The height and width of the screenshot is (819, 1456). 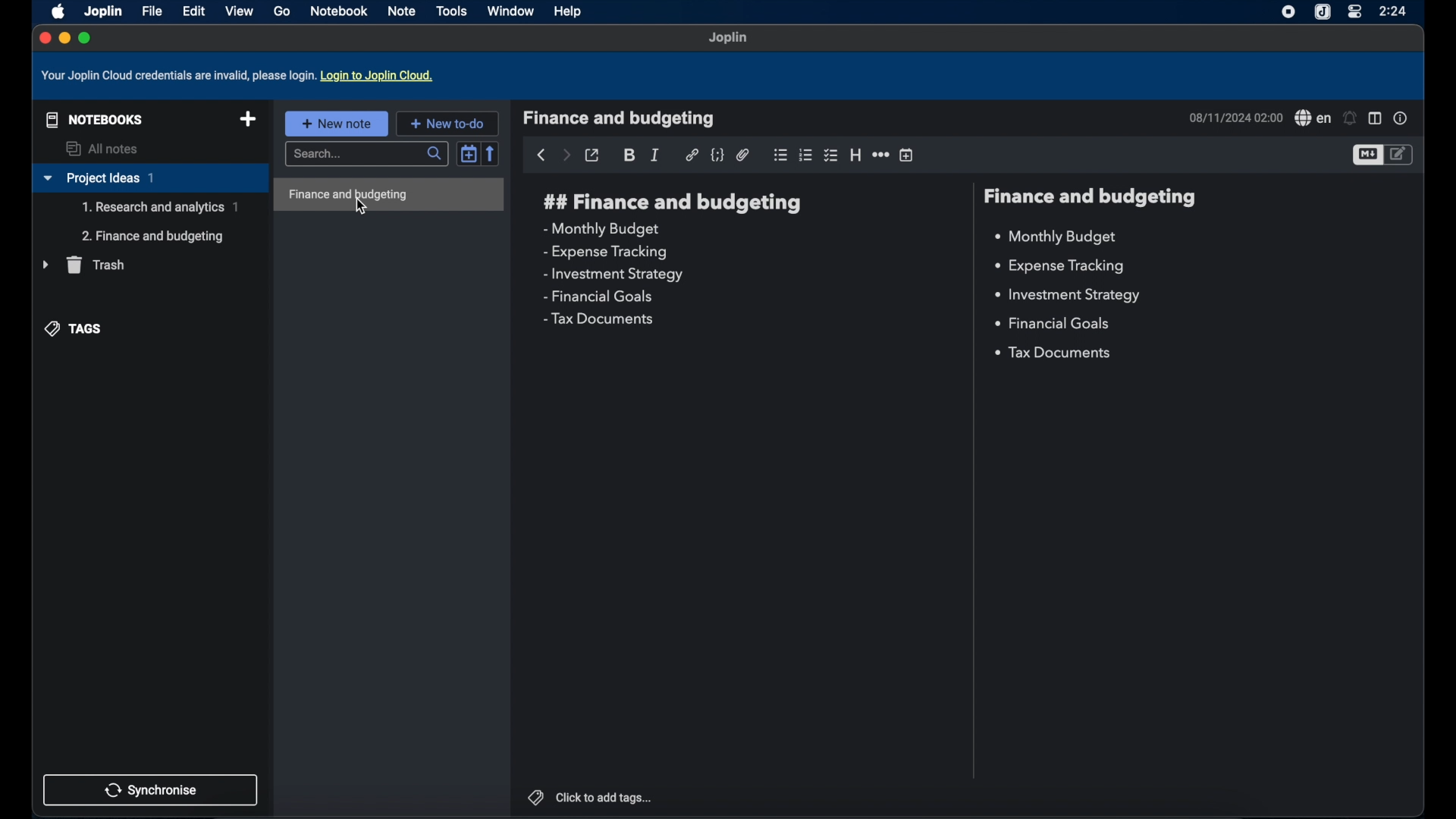 What do you see at coordinates (1354, 12) in the screenshot?
I see `control center` at bounding box center [1354, 12].